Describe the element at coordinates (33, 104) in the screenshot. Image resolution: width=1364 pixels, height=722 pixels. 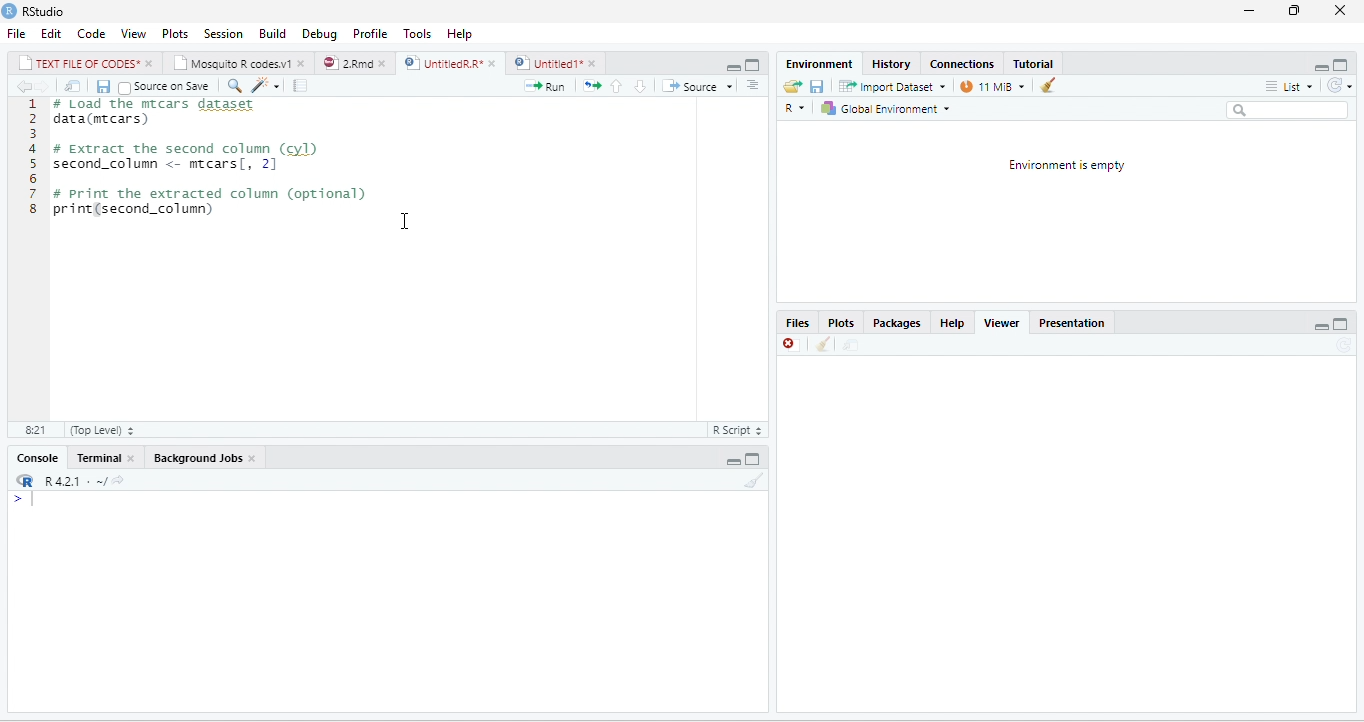
I see `1` at that location.